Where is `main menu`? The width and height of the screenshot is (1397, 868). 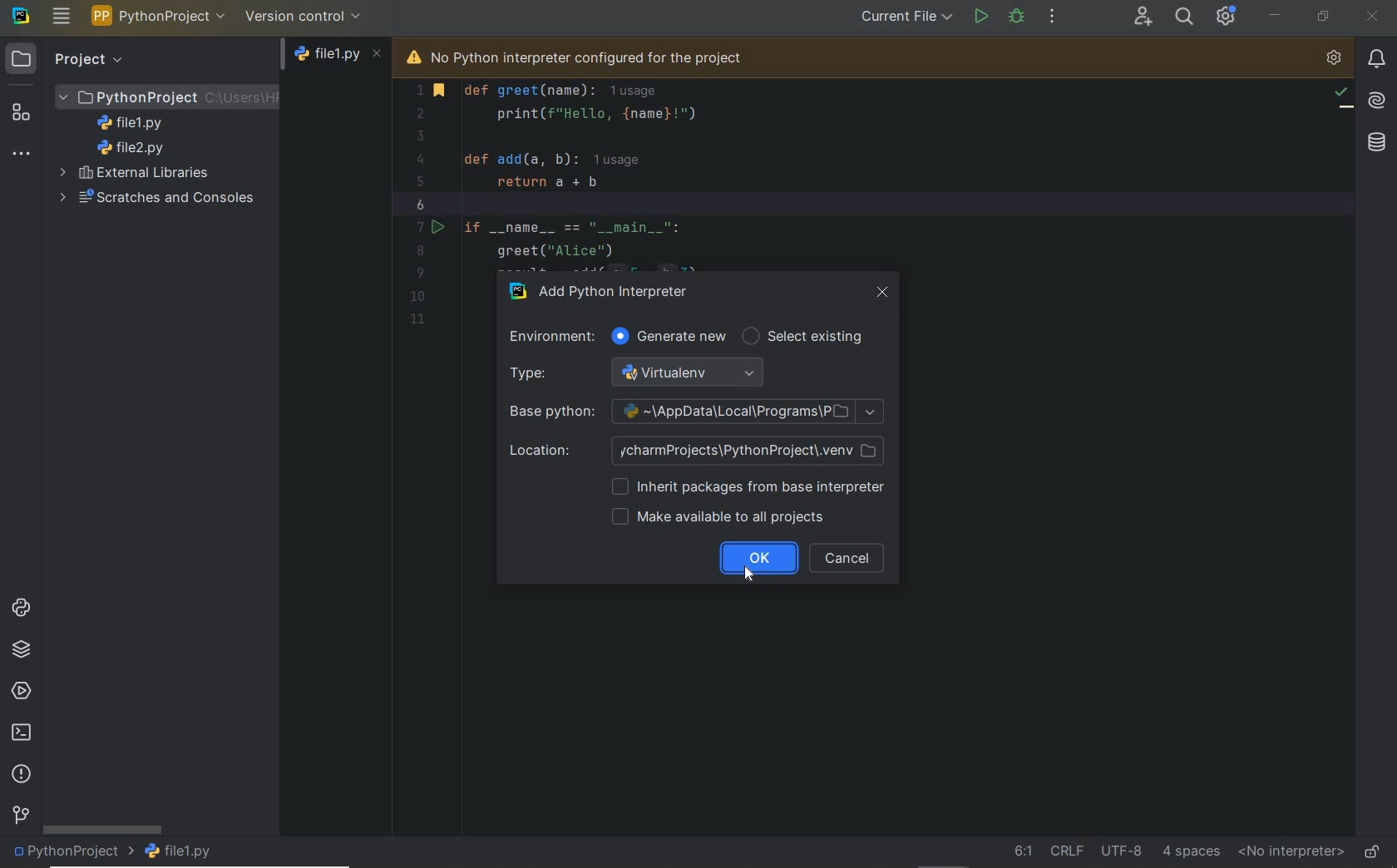 main menu is located at coordinates (62, 16).